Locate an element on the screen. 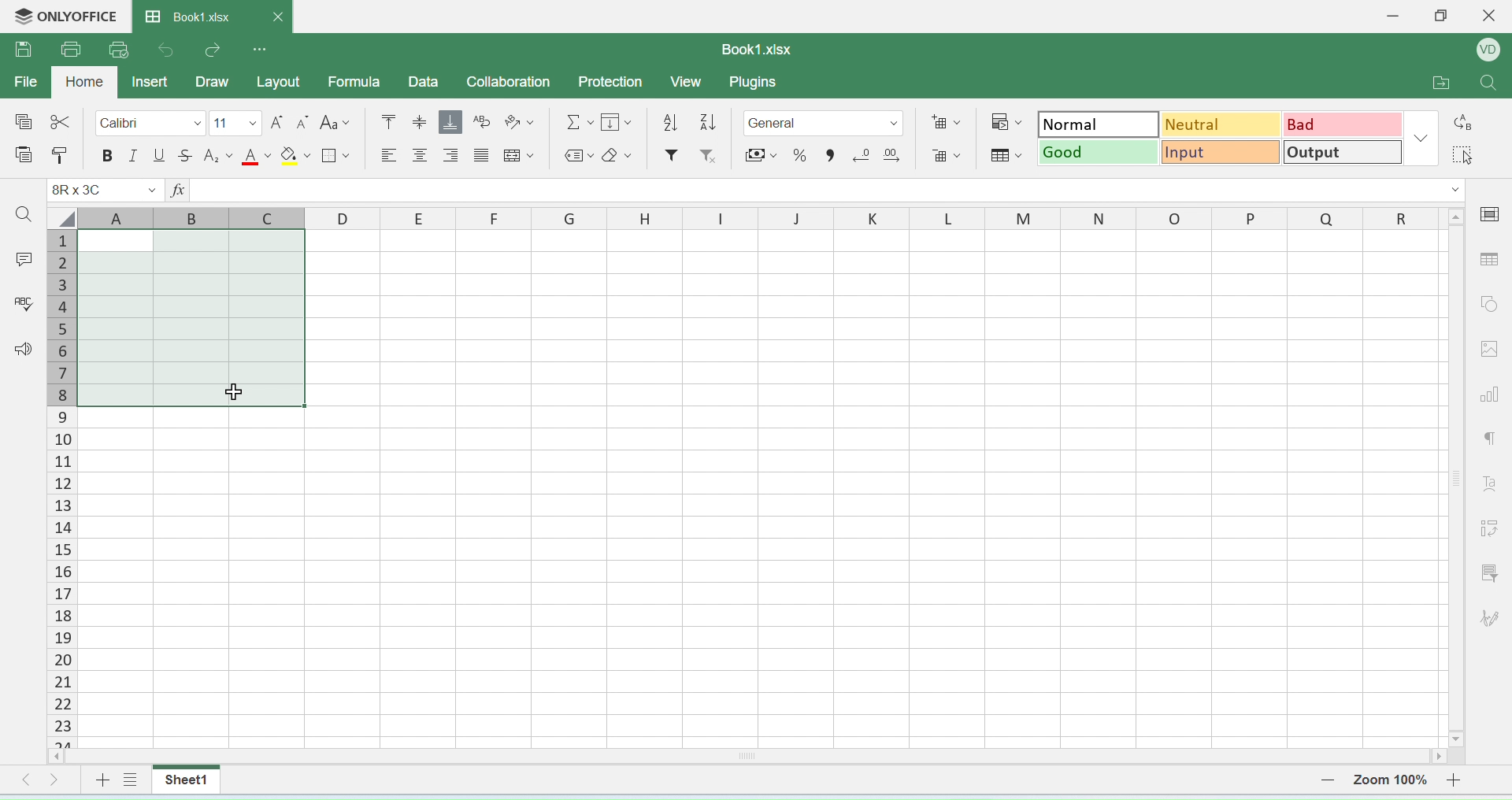 The height and width of the screenshot is (800, 1512). wrap text is located at coordinates (482, 121).